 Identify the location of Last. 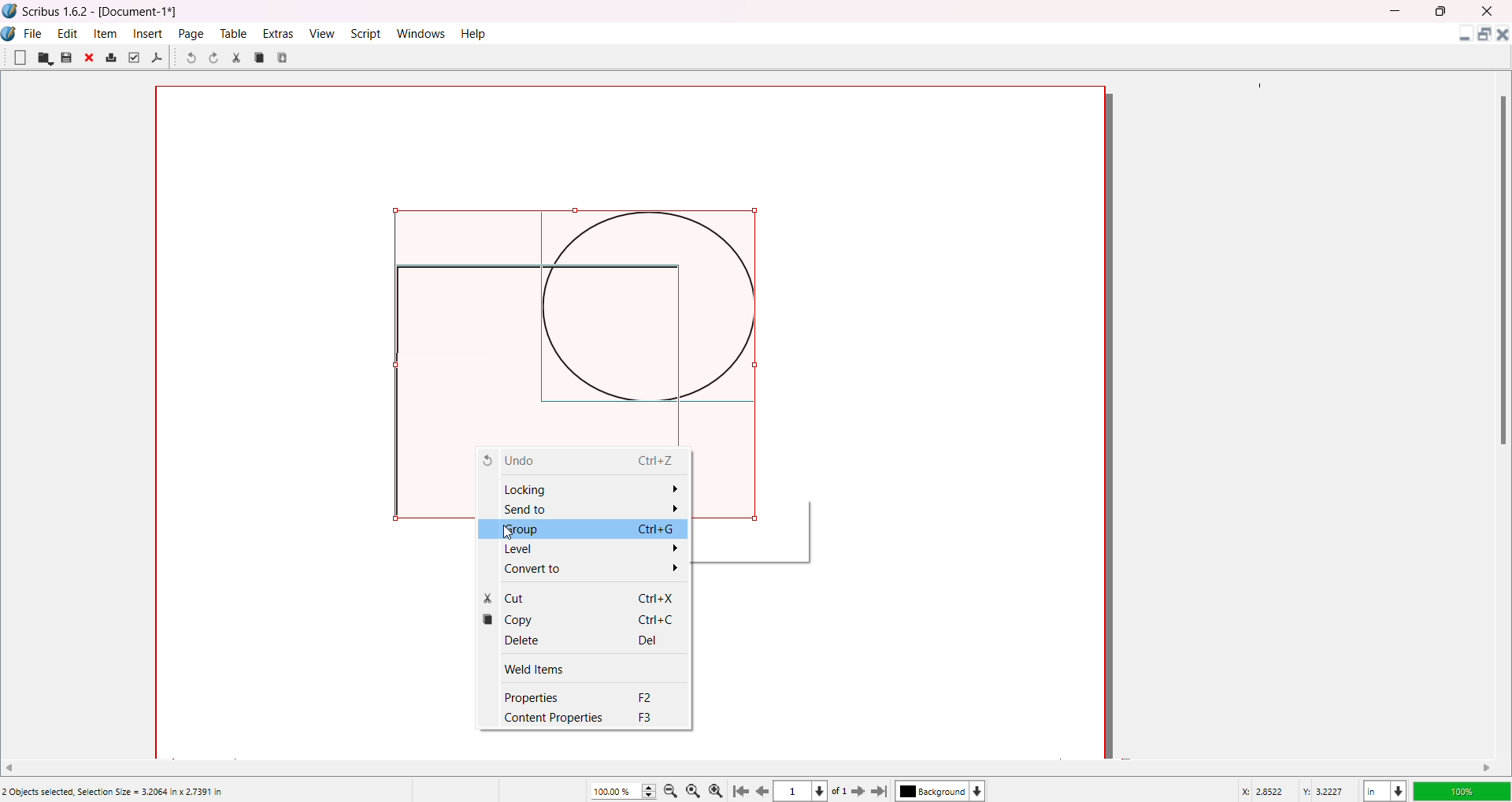
(881, 790).